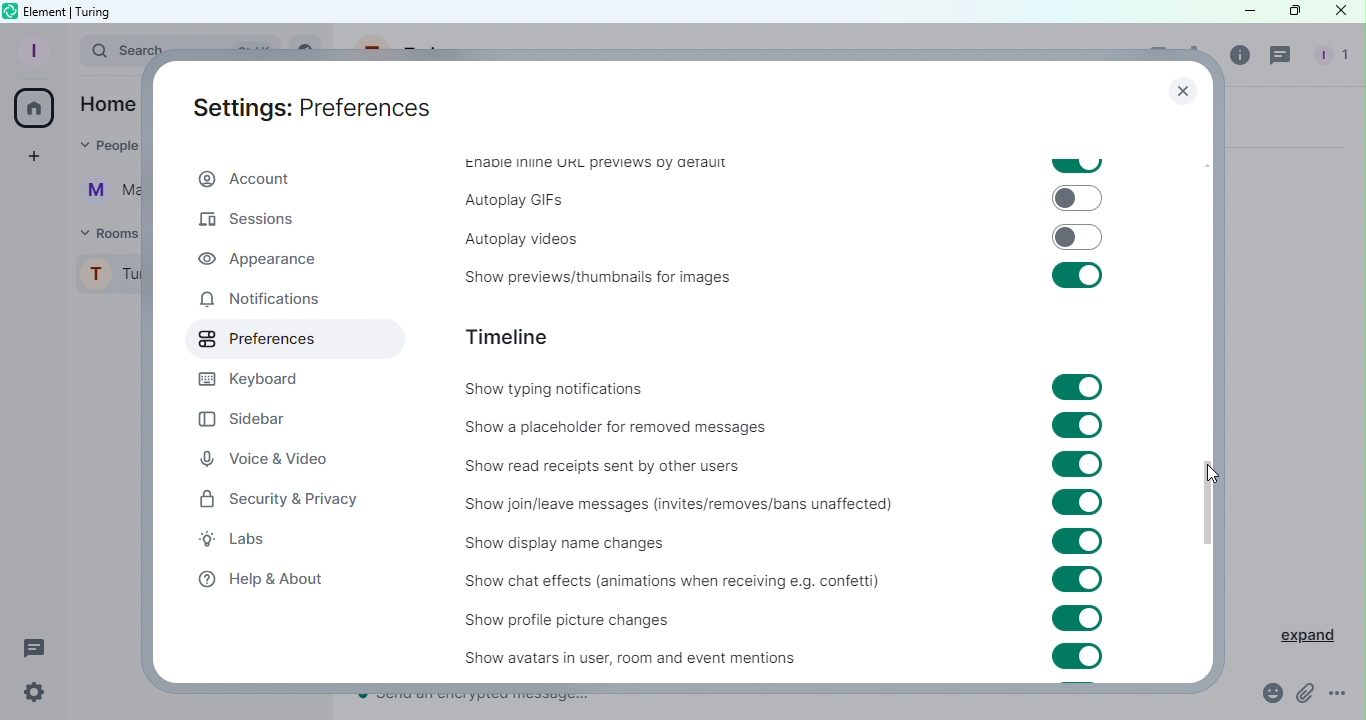  I want to click on Sessions, so click(257, 222).